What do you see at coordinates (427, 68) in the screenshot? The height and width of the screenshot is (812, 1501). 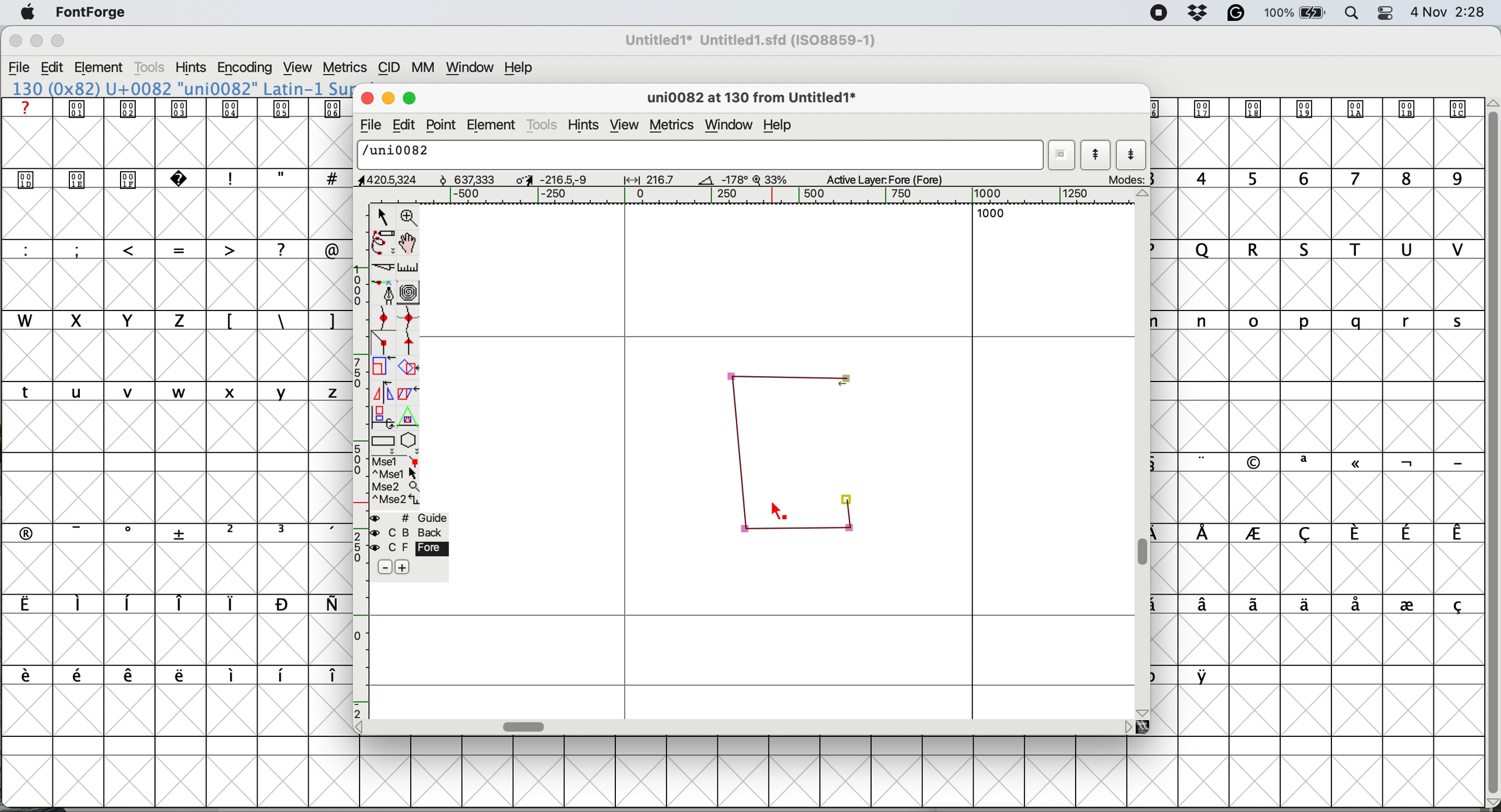 I see `mm` at bounding box center [427, 68].